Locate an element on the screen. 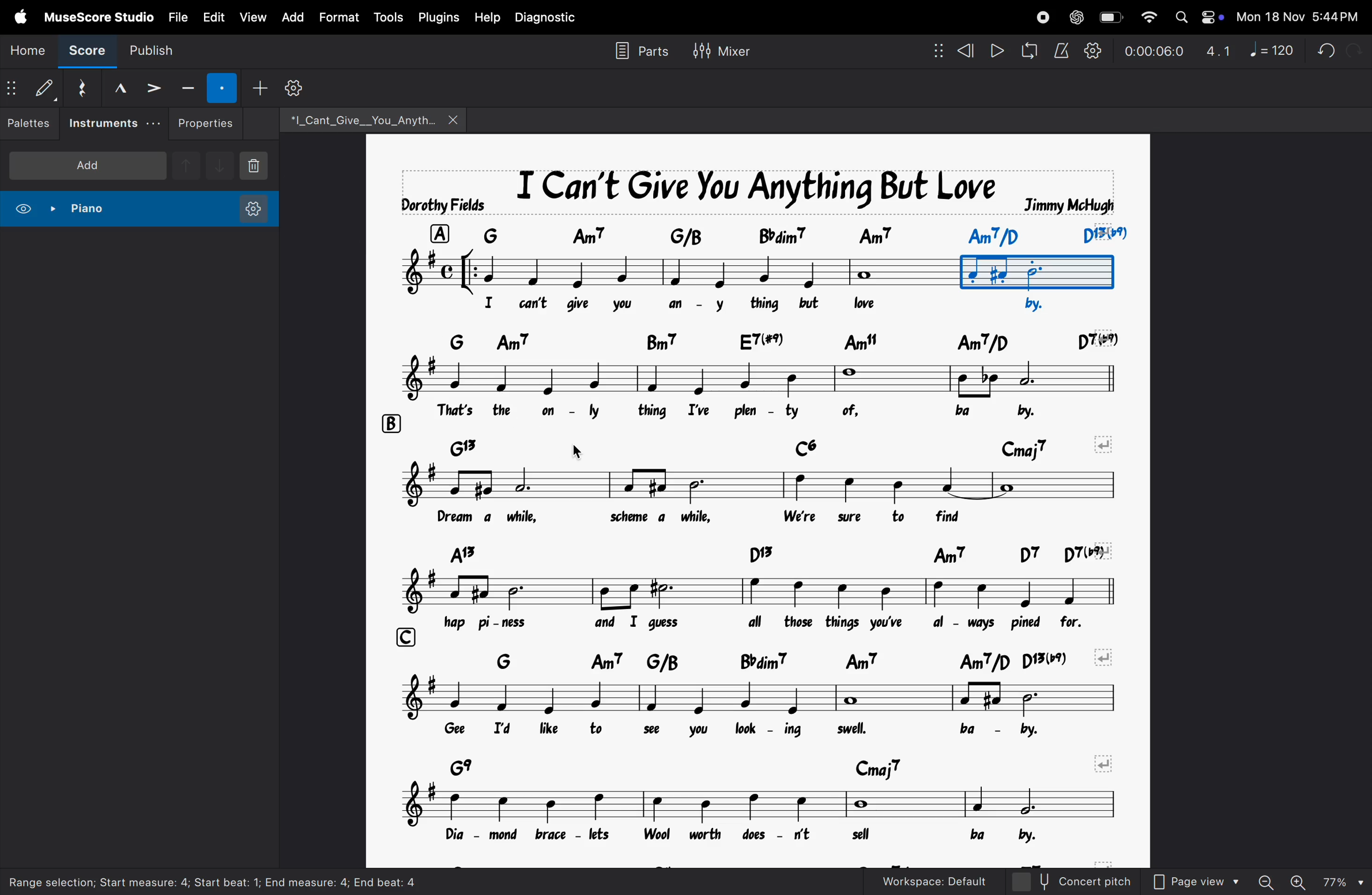 Image resolution: width=1372 pixels, height=895 pixels. view is located at coordinates (253, 18).